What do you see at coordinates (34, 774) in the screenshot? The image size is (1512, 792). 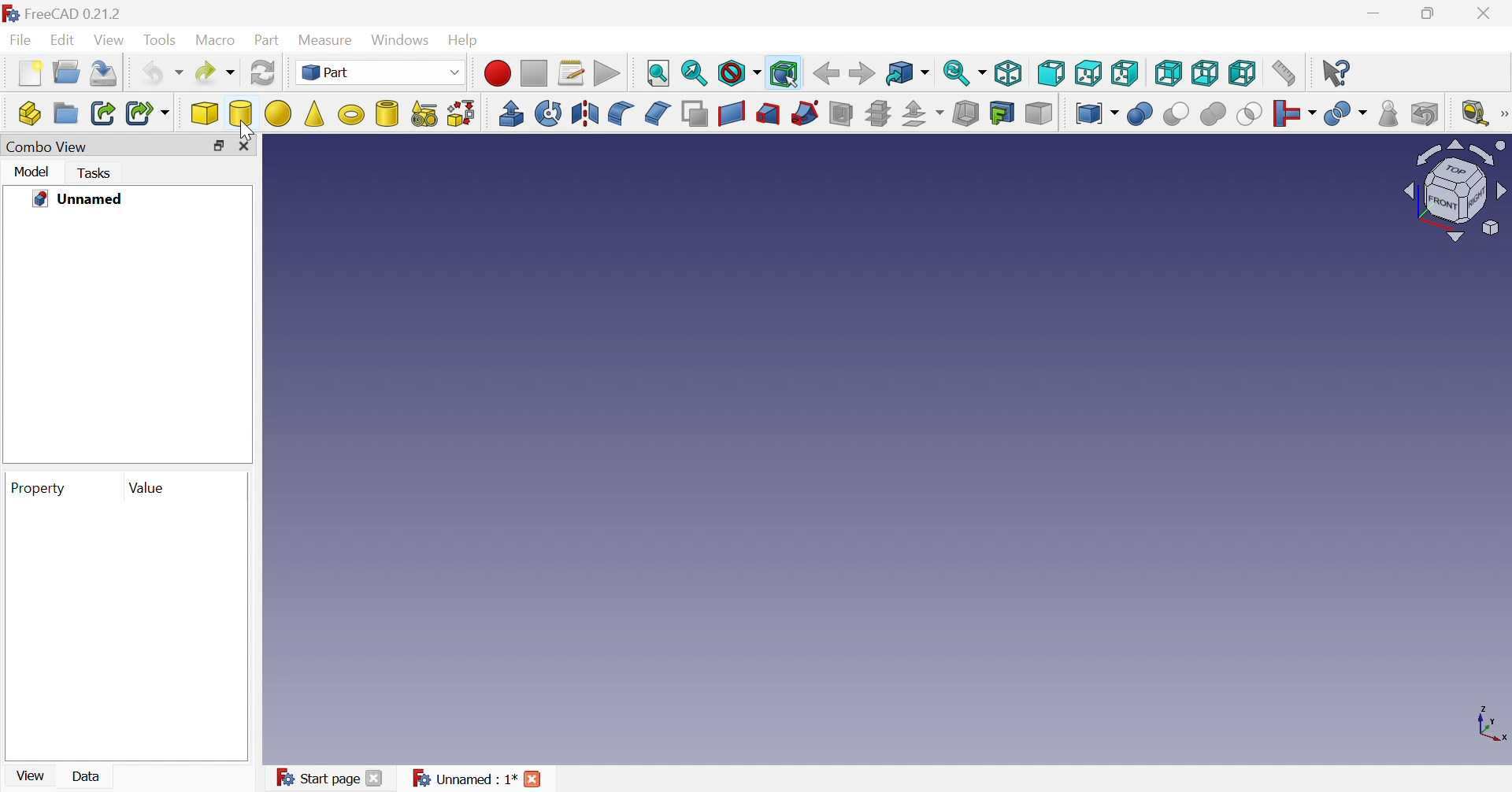 I see `View` at bounding box center [34, 774].